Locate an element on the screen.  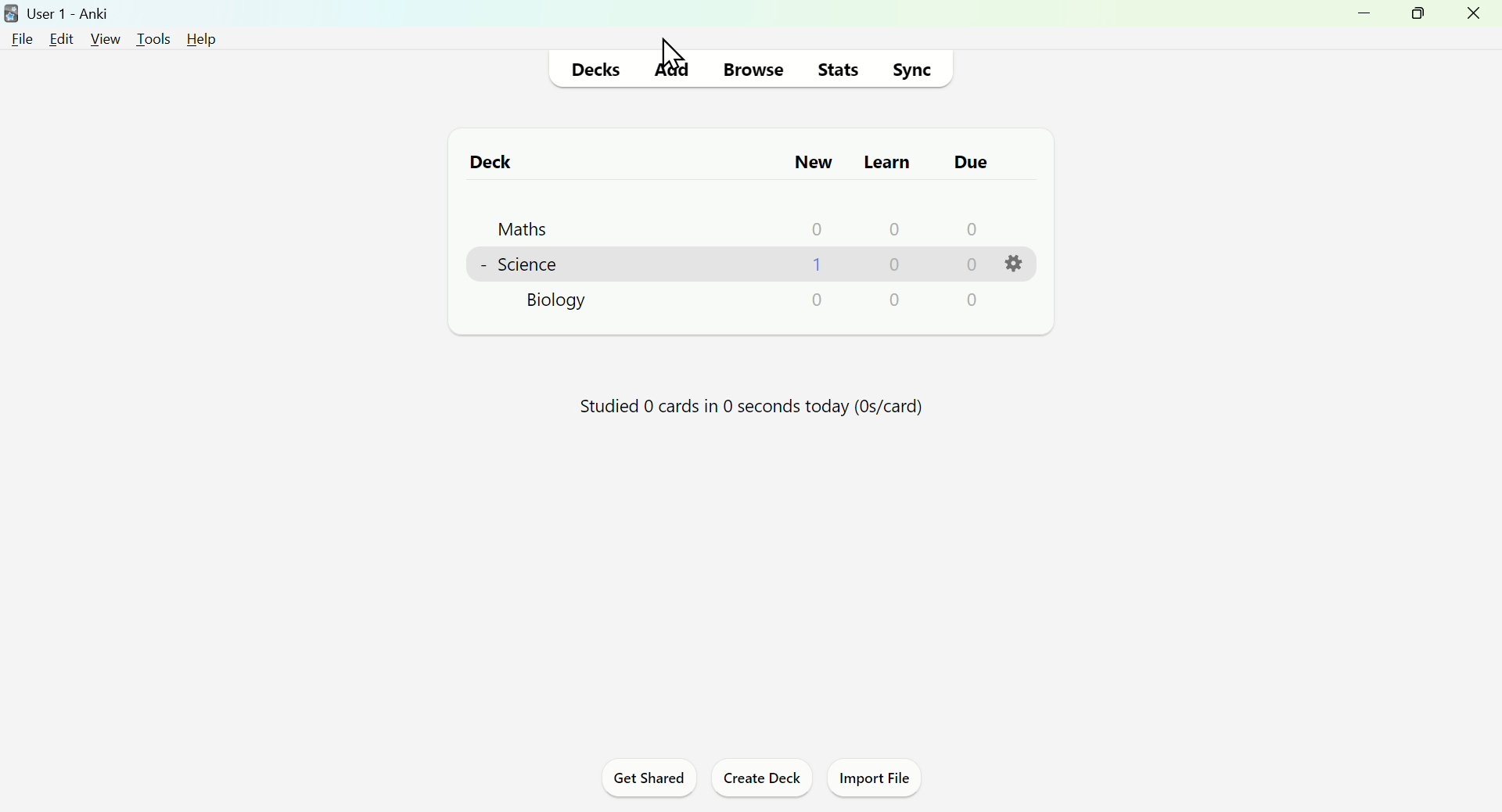
0 is located at coordinates (817, 299).